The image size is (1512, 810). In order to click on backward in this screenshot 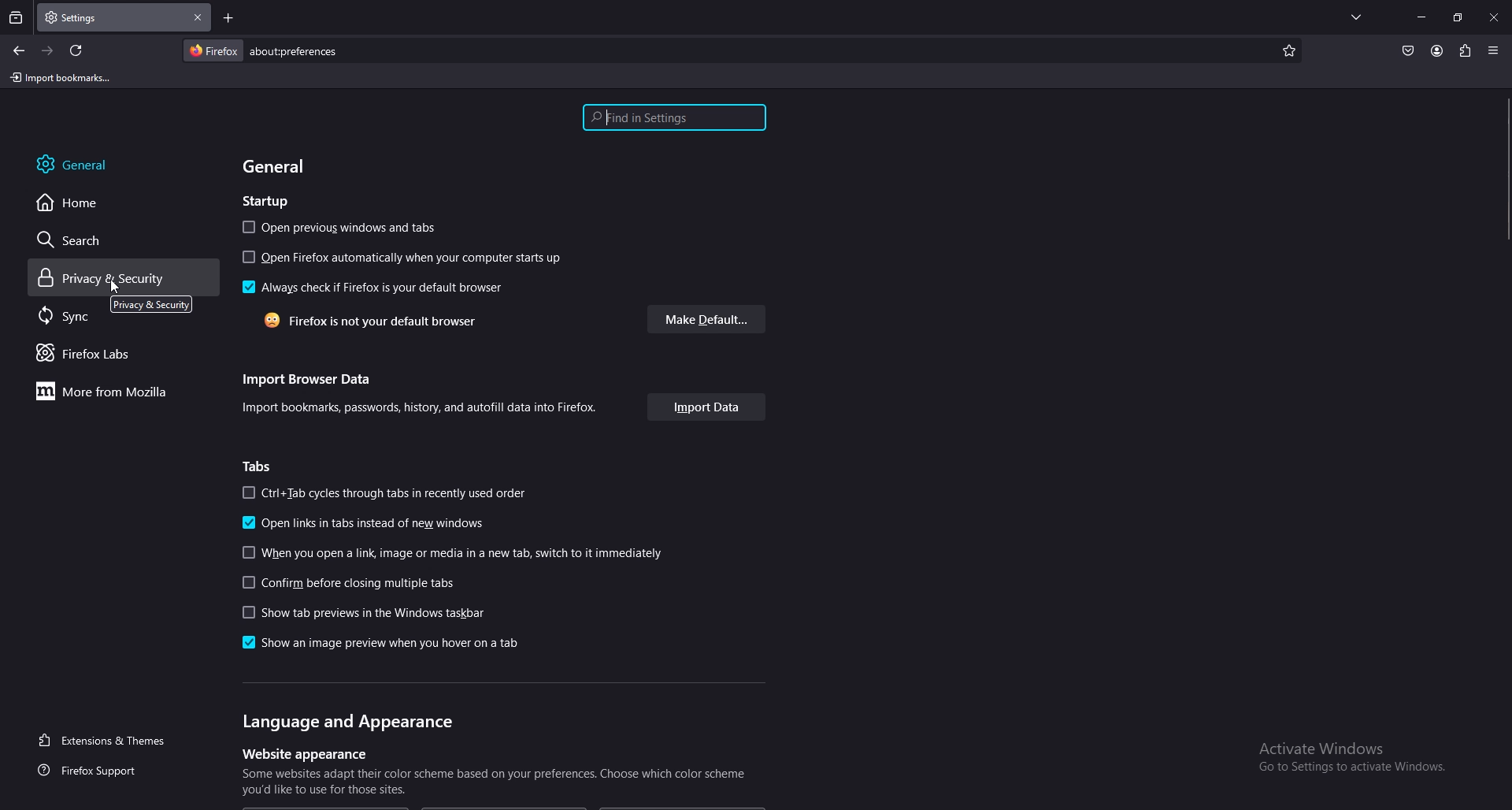, I will do `click(20, 51)`.